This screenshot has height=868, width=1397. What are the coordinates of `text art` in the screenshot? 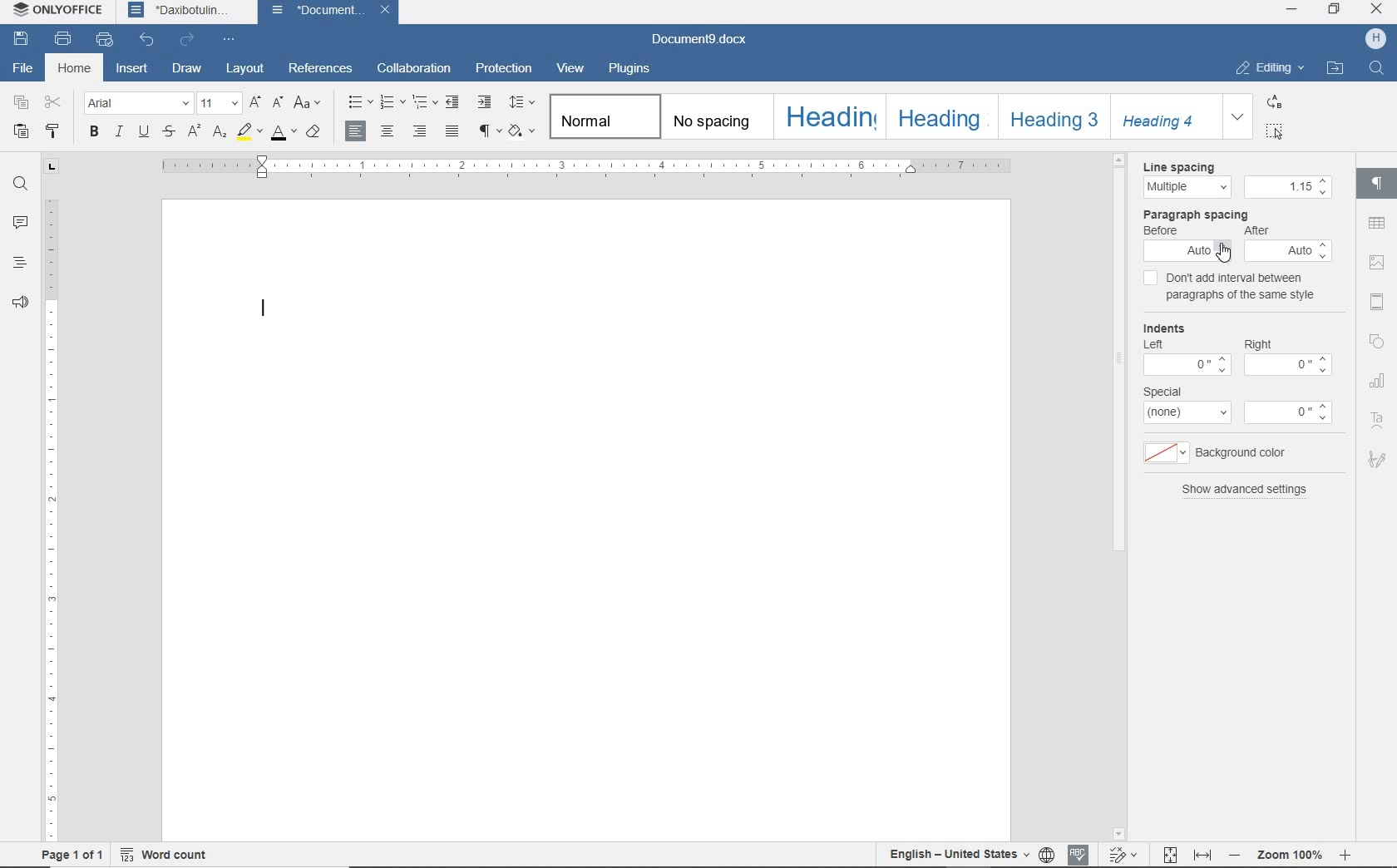 It's located at (1378, 421).